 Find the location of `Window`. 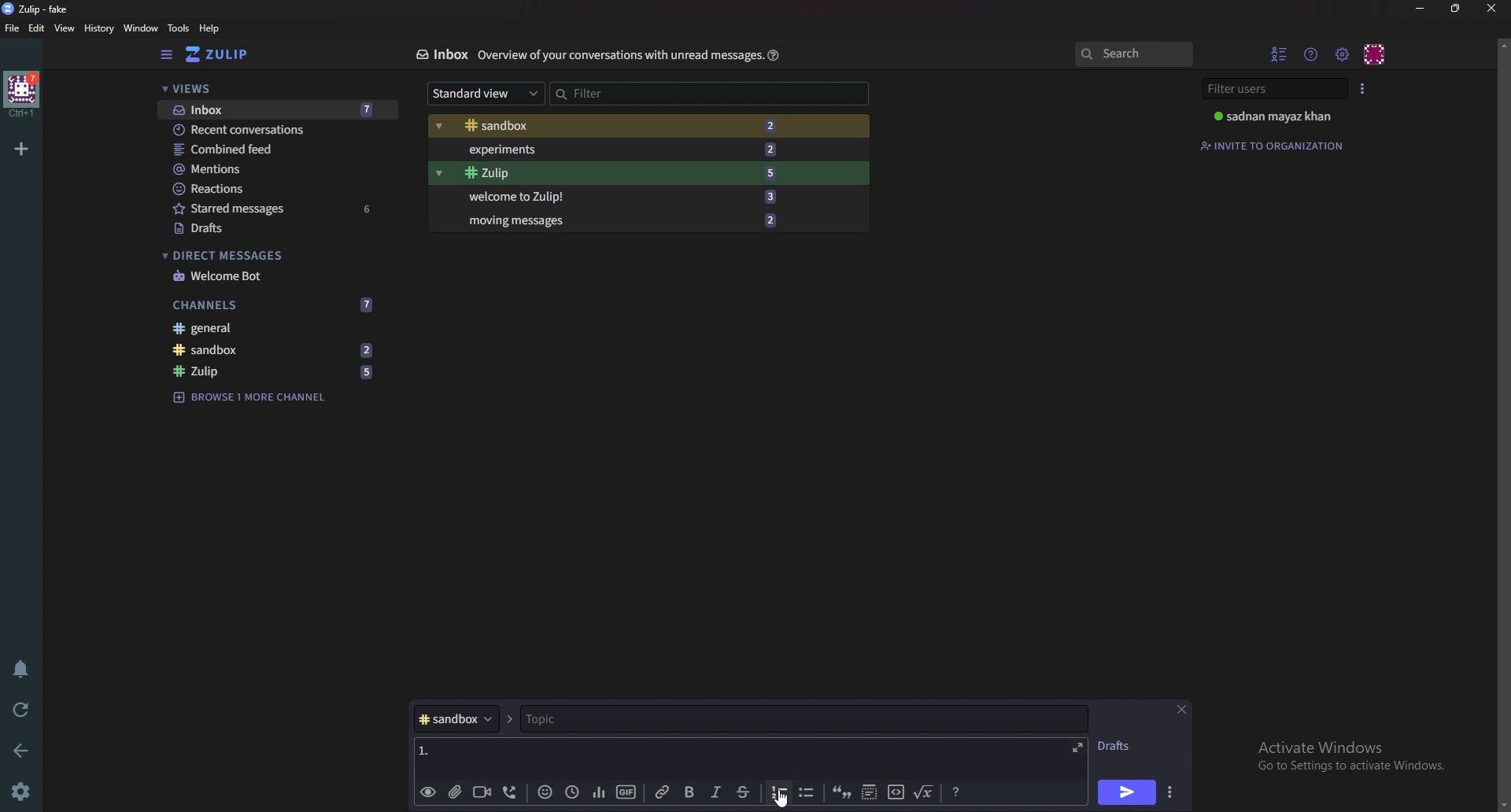

Window is located at coordinates (139, 28).